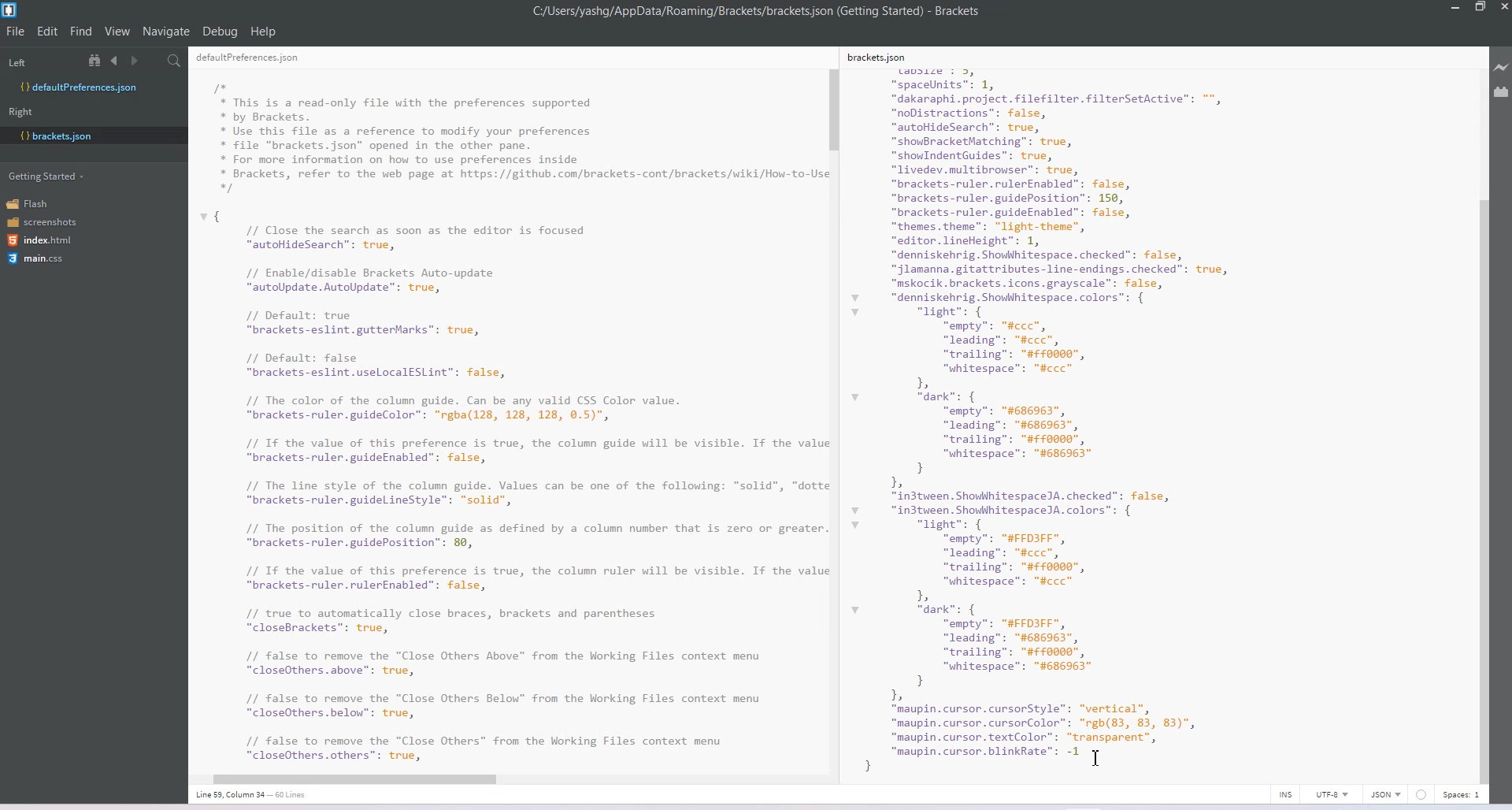 The image size is (1512, 810). What do you see at coordinates (48, 175) in the screenshot?
I see `Getting Started` at bounding box center [48, 175].